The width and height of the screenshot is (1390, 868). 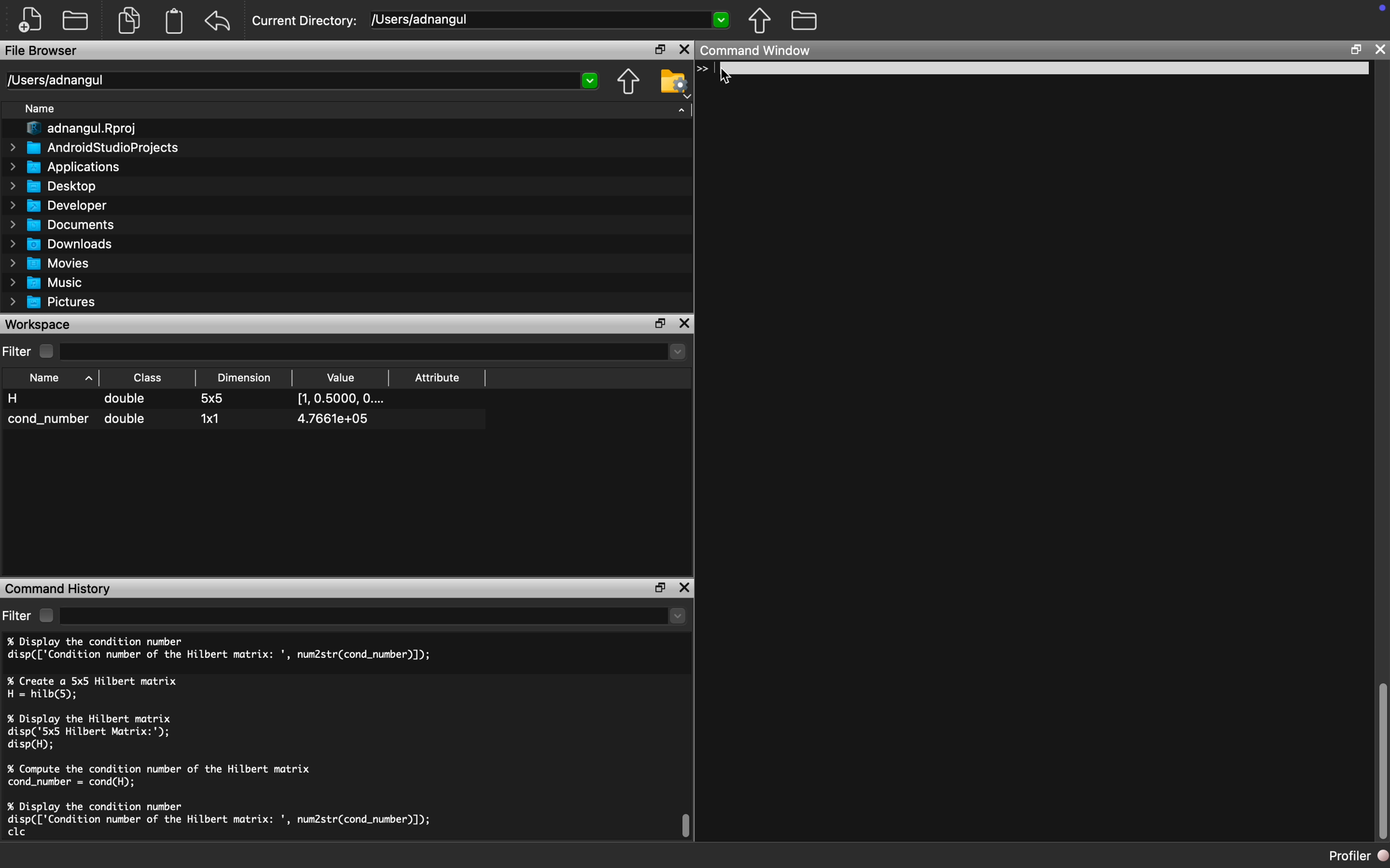 I want to click on Close, so click(x=1380, y=50).